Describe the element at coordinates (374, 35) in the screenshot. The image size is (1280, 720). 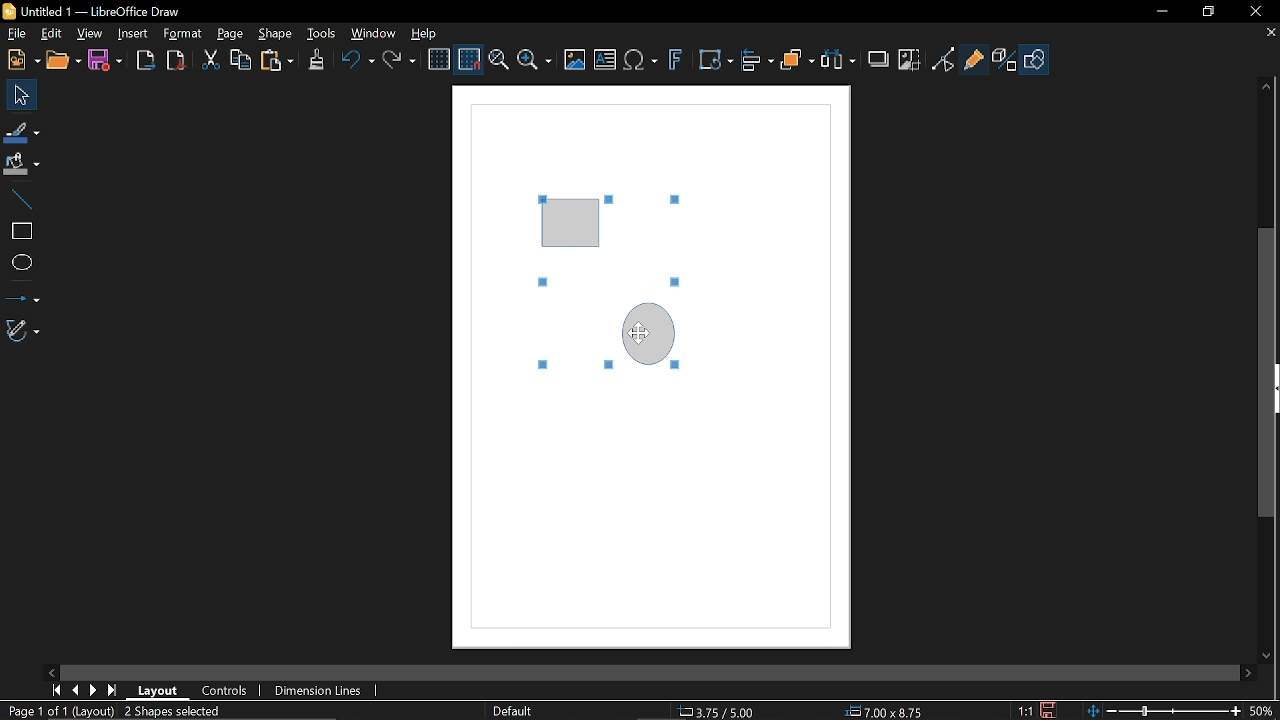
I see `Window` at that location.